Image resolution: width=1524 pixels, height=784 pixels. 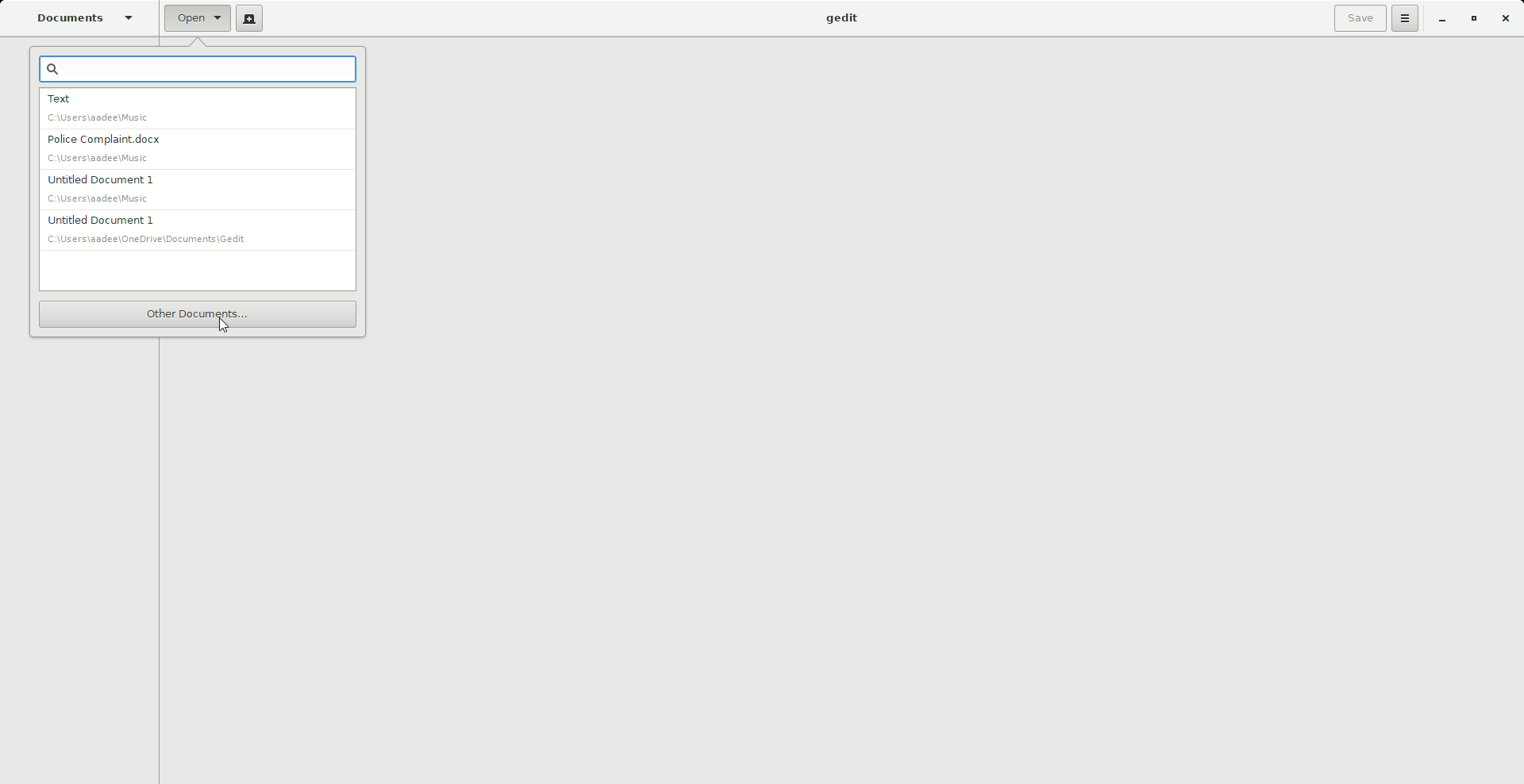 What do you see at coordinates (199, 234) in the screenshot?
I see `Untitled document 1` at bounding box center [199, 234].